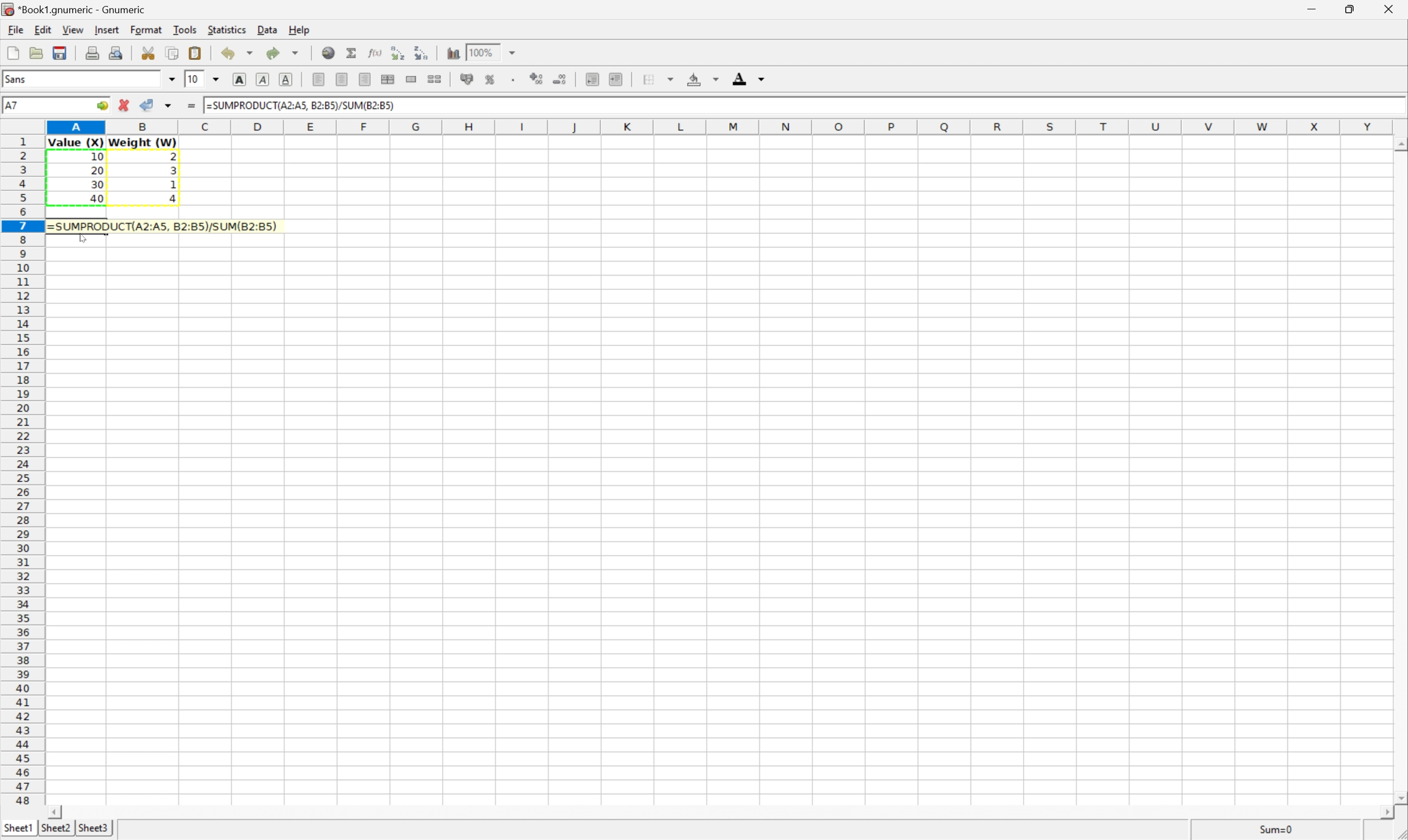 The height and width of the screenshot is (840, 1408). I want to click on Redo, so click(284, 52).